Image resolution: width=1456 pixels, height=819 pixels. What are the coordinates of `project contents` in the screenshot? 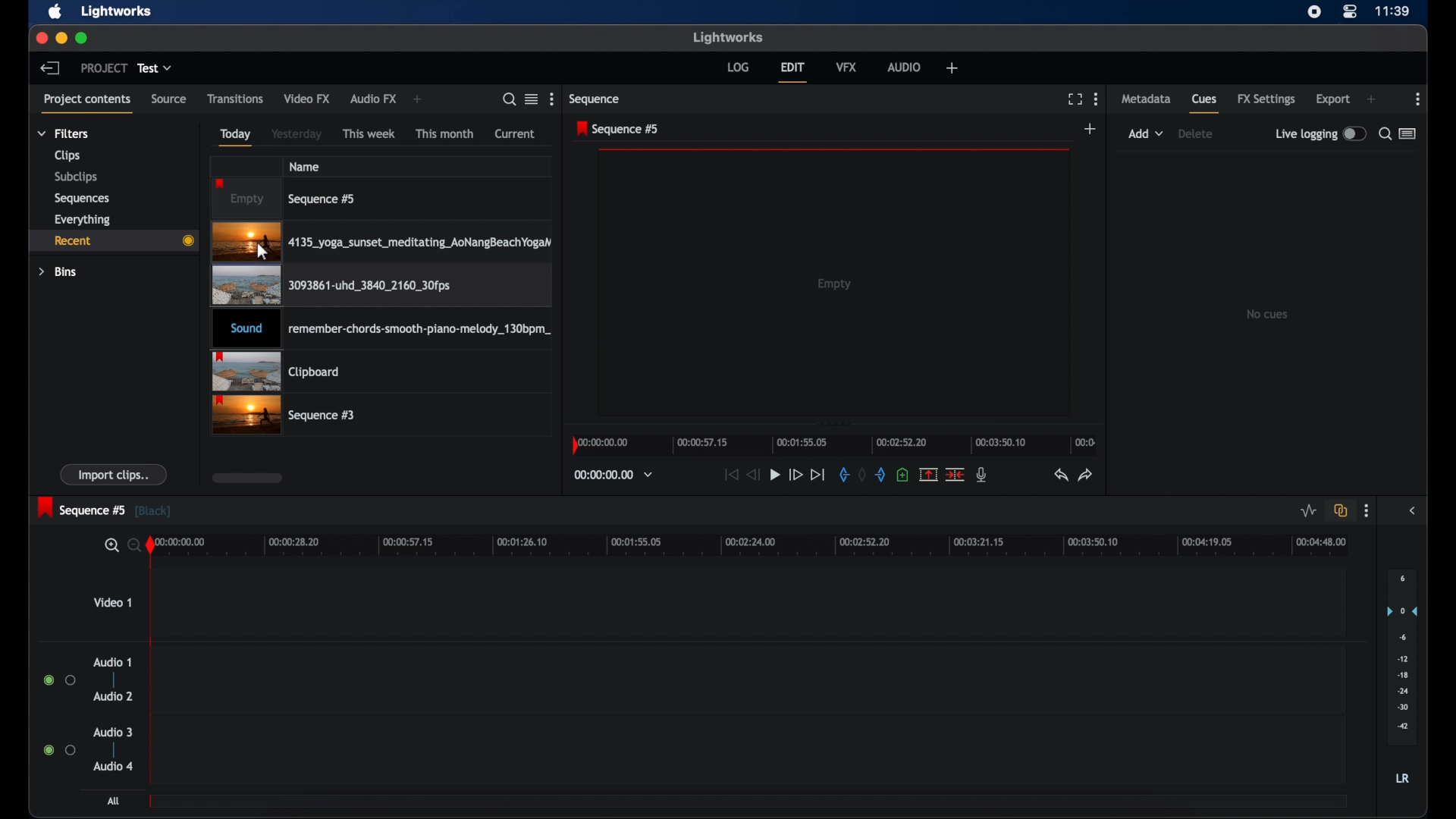 It's located at (87, 104).